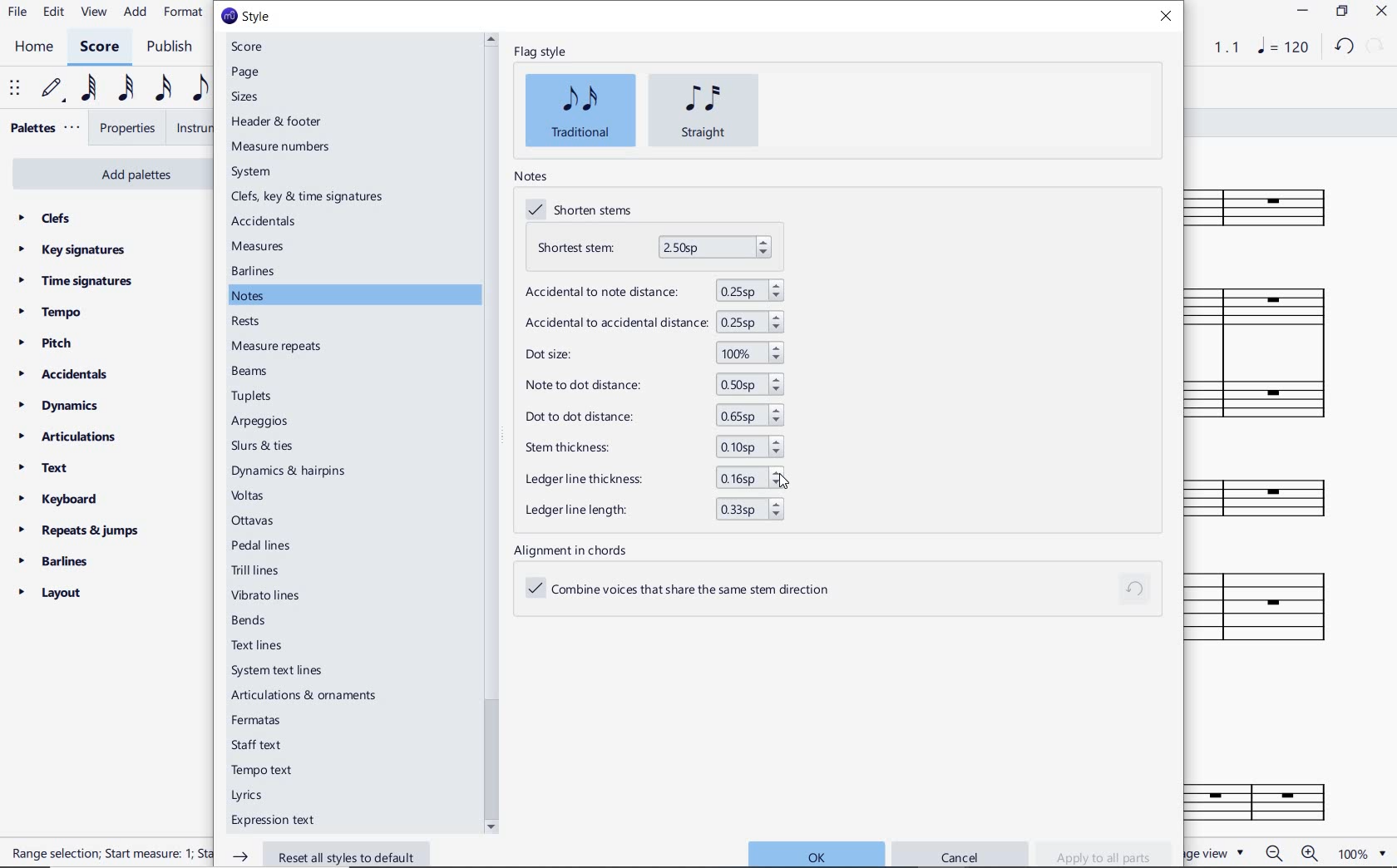  What do you see at coordinates (816, 854) in the screenshot?
I see `ok` at bounding box center [816, 854].